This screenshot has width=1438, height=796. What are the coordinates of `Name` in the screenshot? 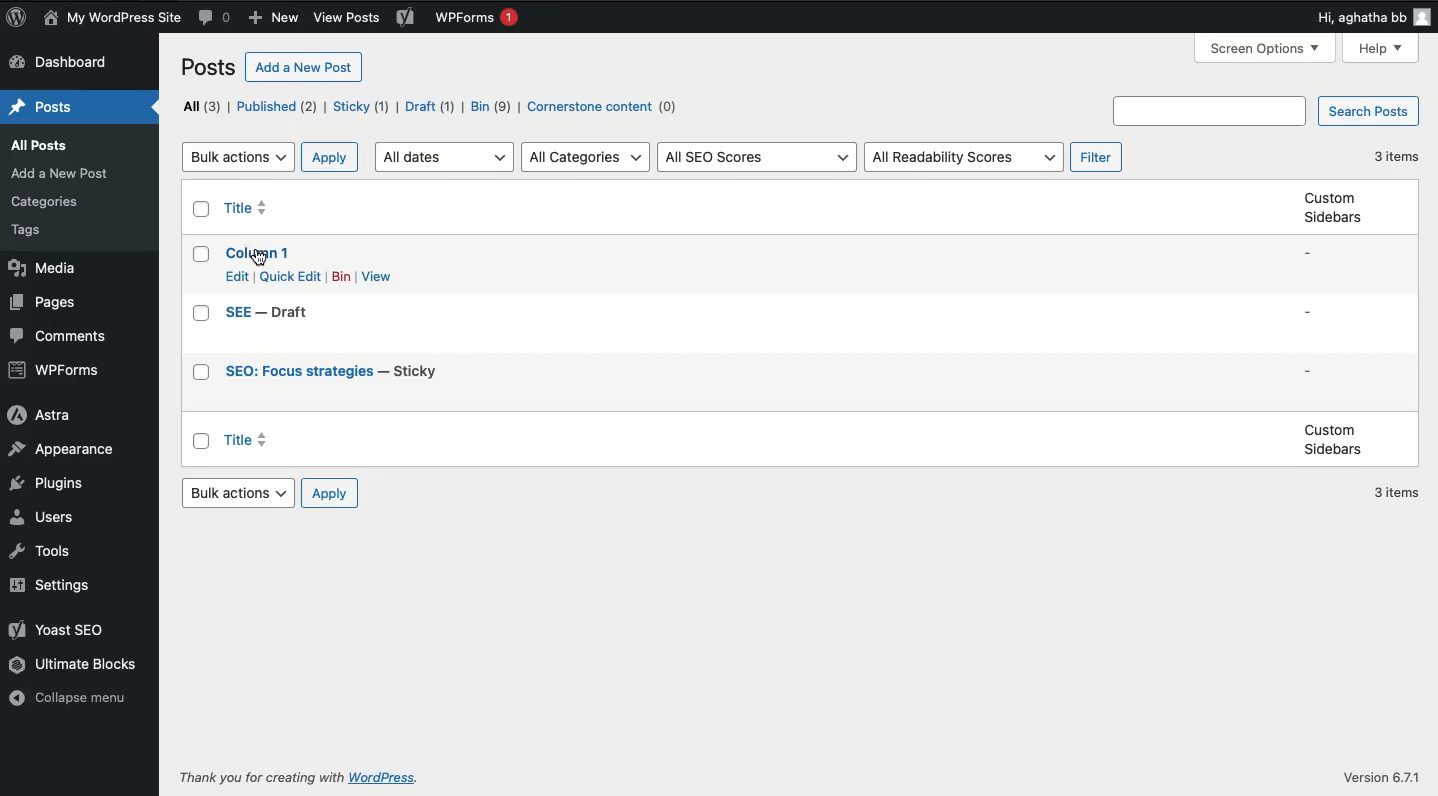 It's located at (116, 18).